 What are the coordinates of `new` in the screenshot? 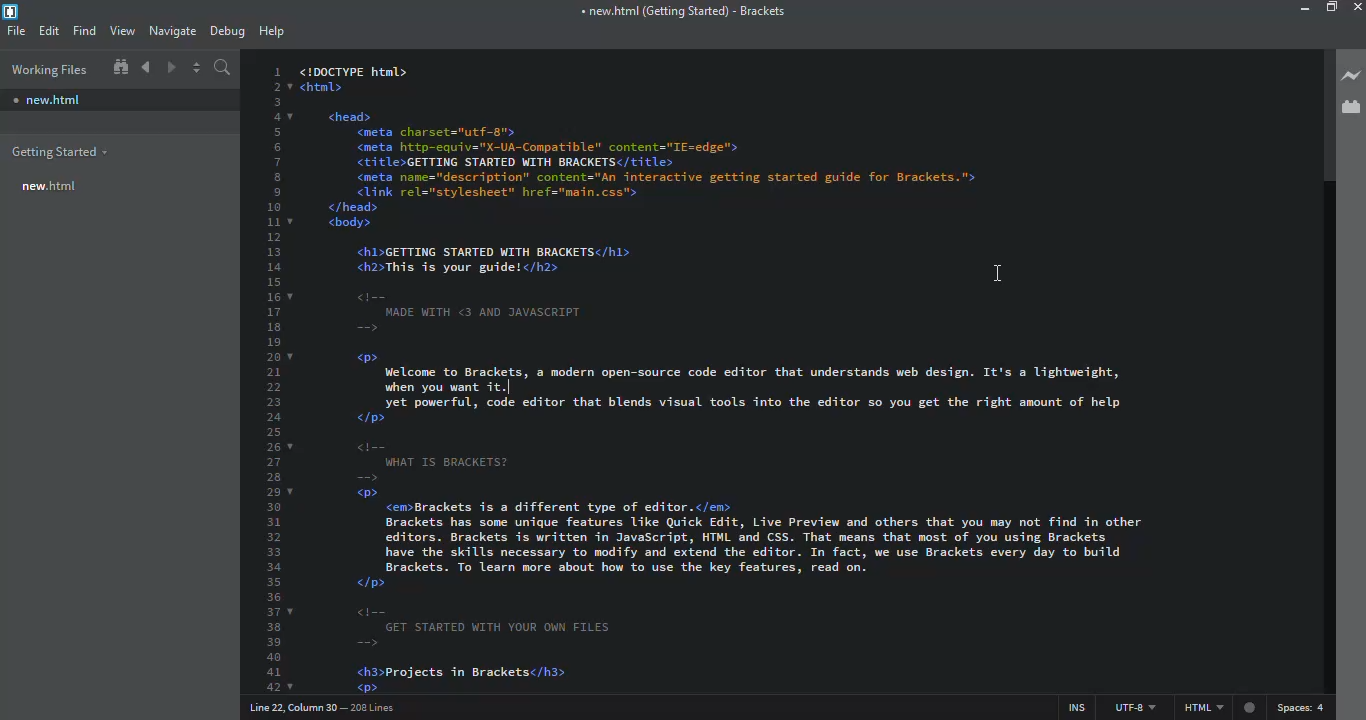 It's located at (51, 185).